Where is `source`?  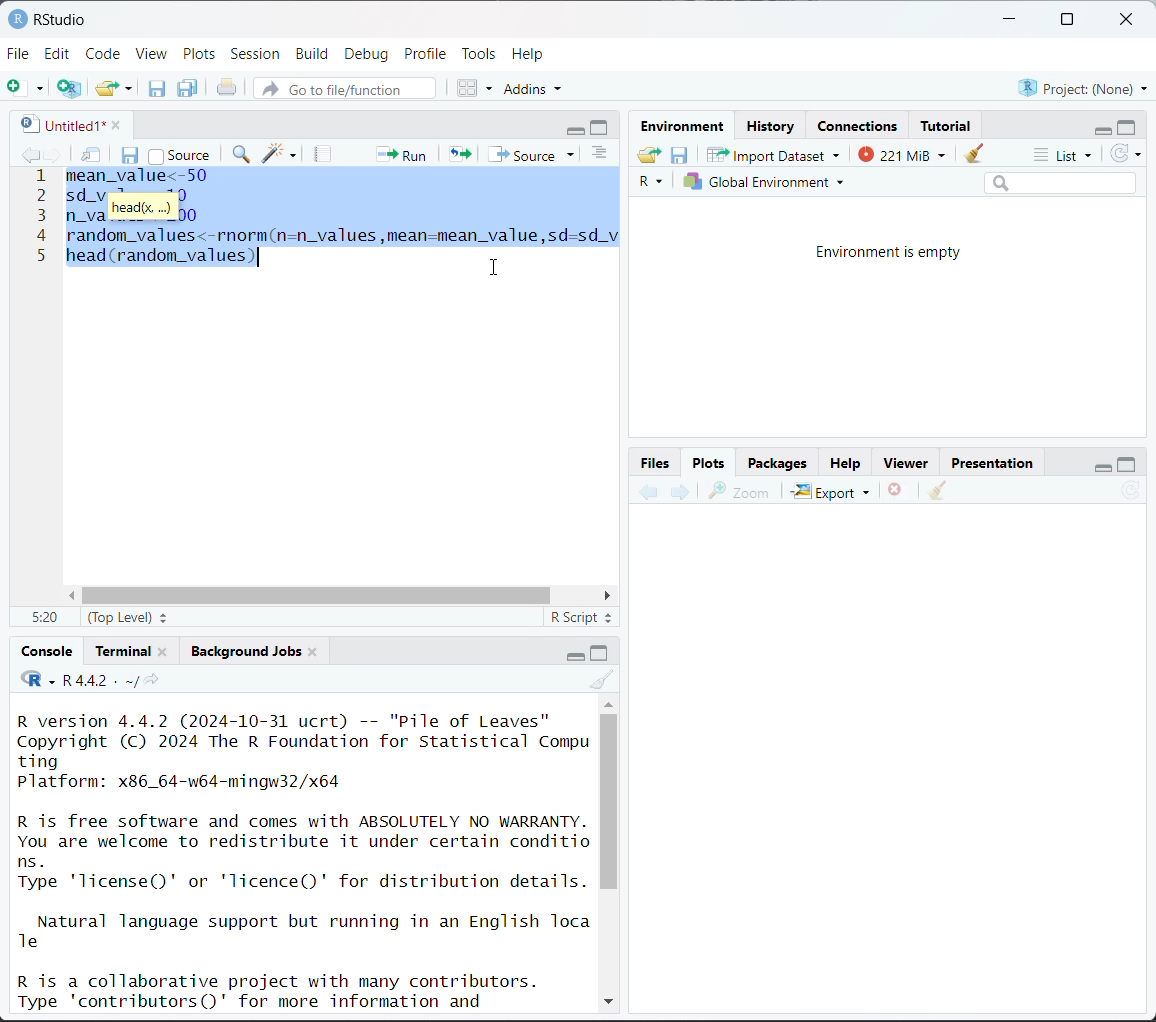 source is located at coordinates (535, 154).